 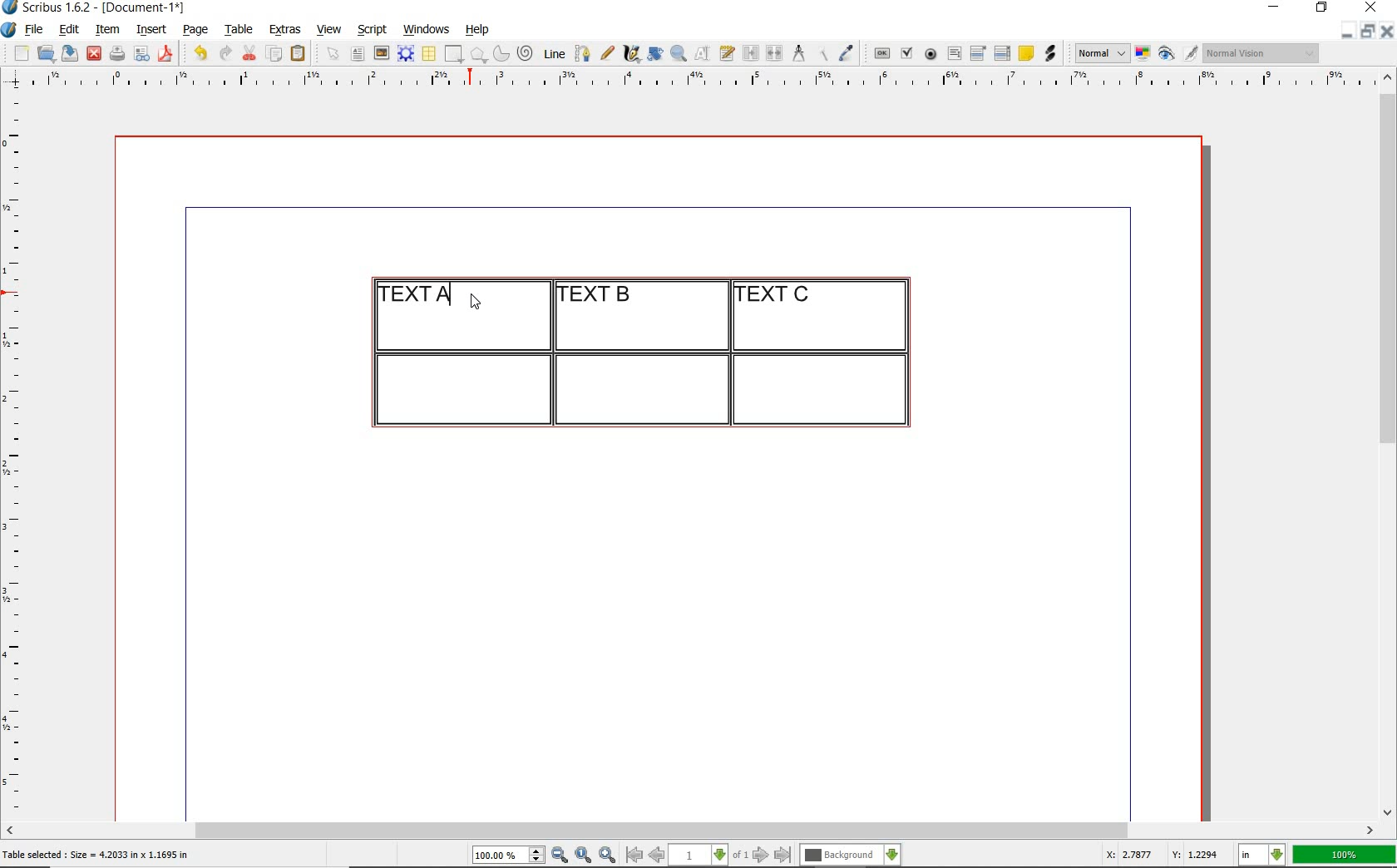 I want to click on toggle color management, so click(x=1144, y=55).